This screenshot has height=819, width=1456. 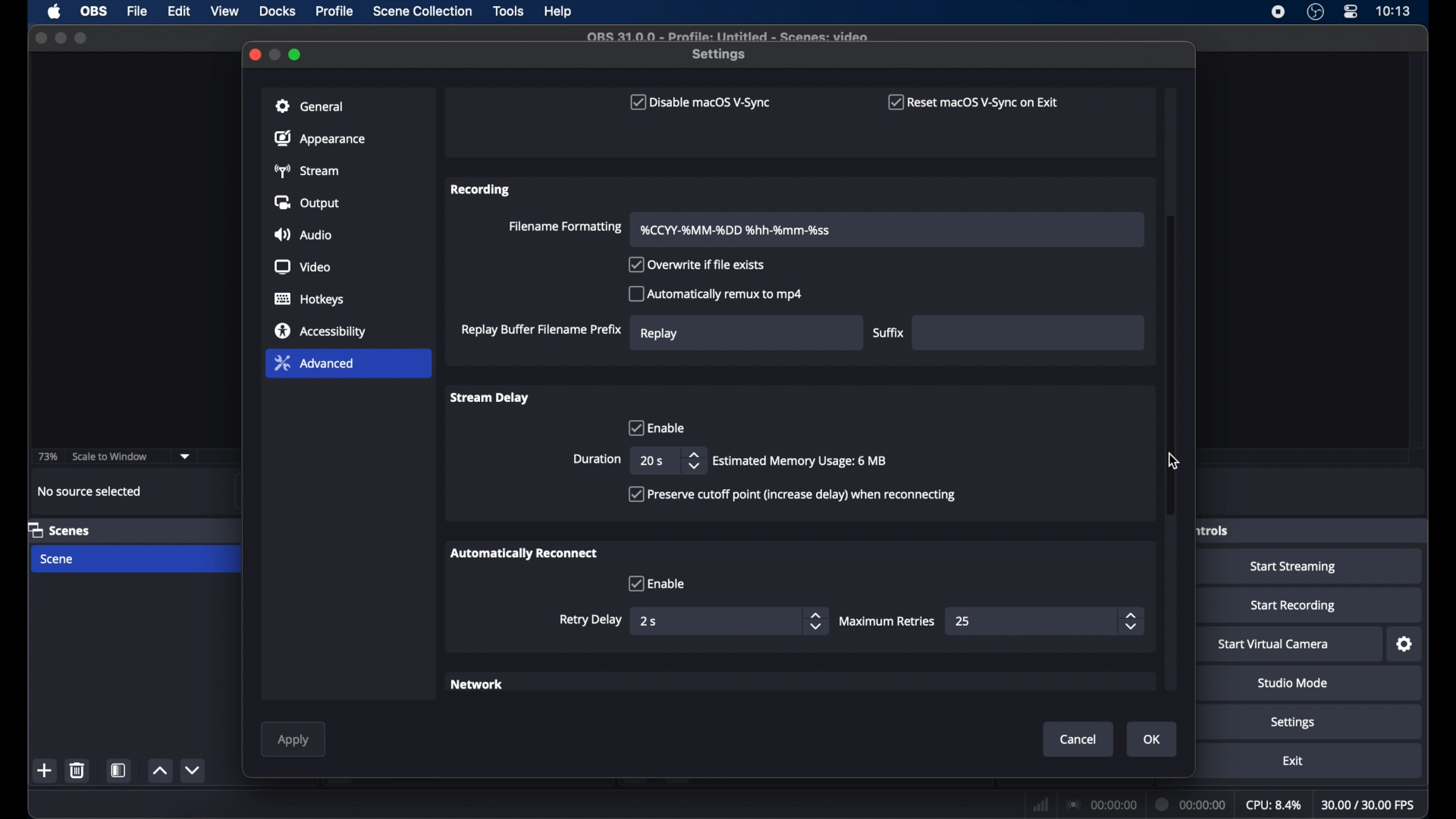 I want to click on start streaming, so click(x=1294, y=567).